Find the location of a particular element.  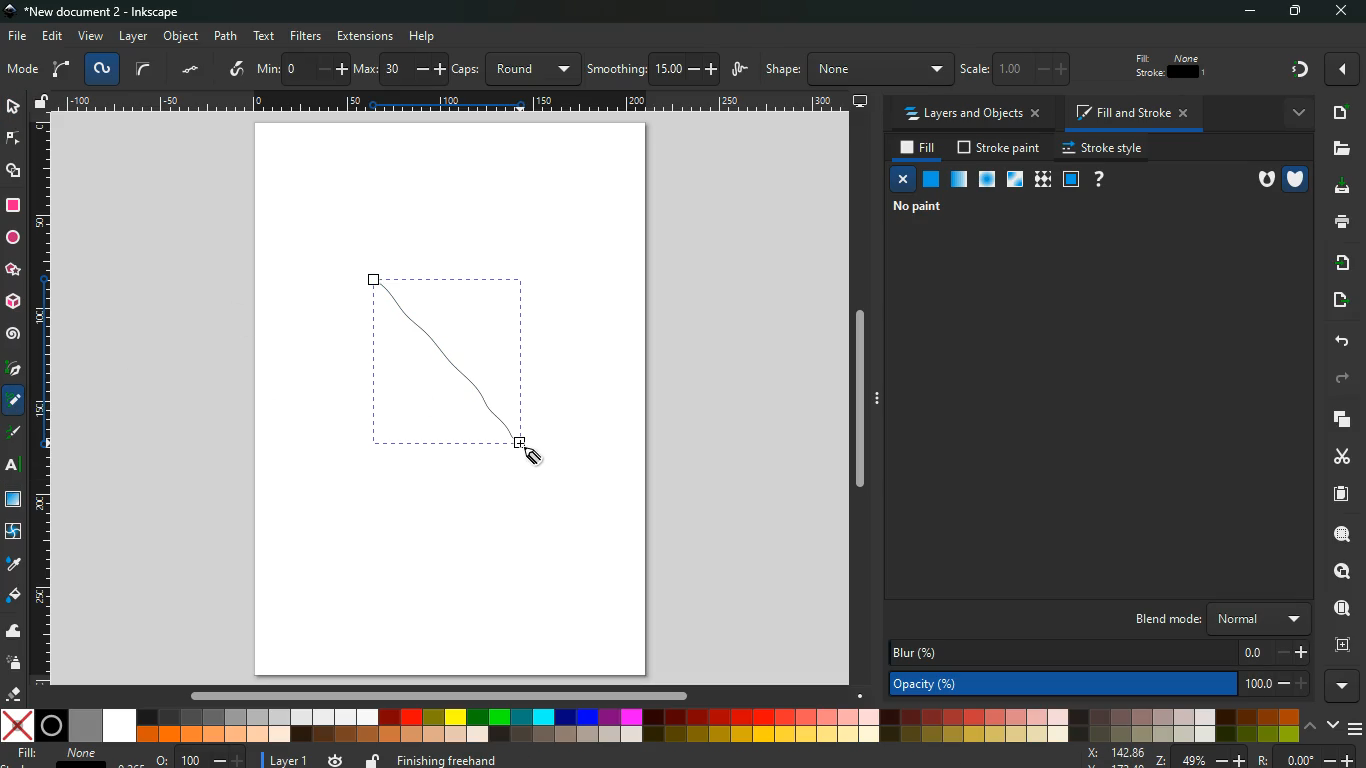

select is located at coordinates (16, 108).